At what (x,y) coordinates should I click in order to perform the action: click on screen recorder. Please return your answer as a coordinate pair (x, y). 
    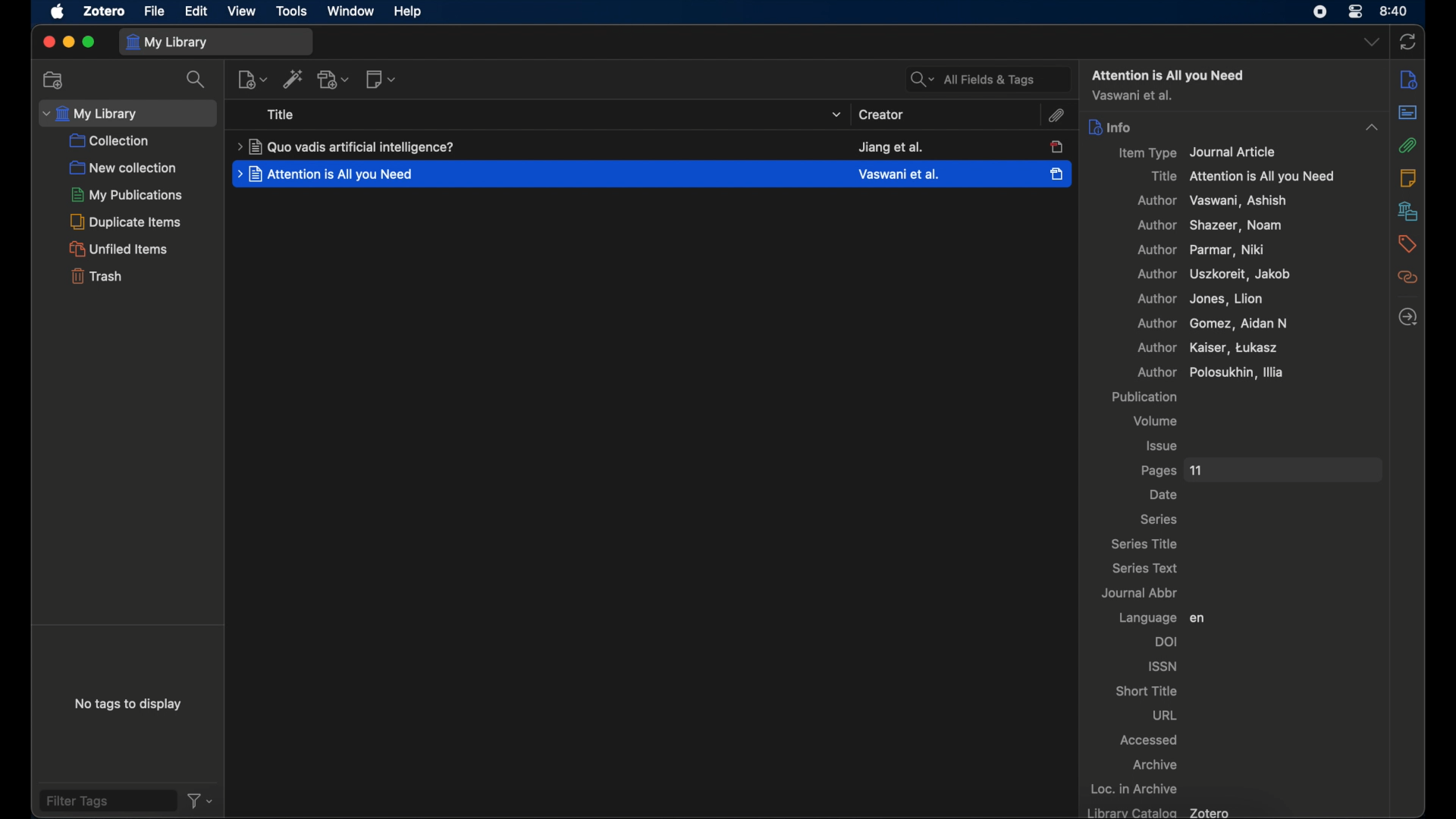
    Looking at the image, I should click on (1322, 11).